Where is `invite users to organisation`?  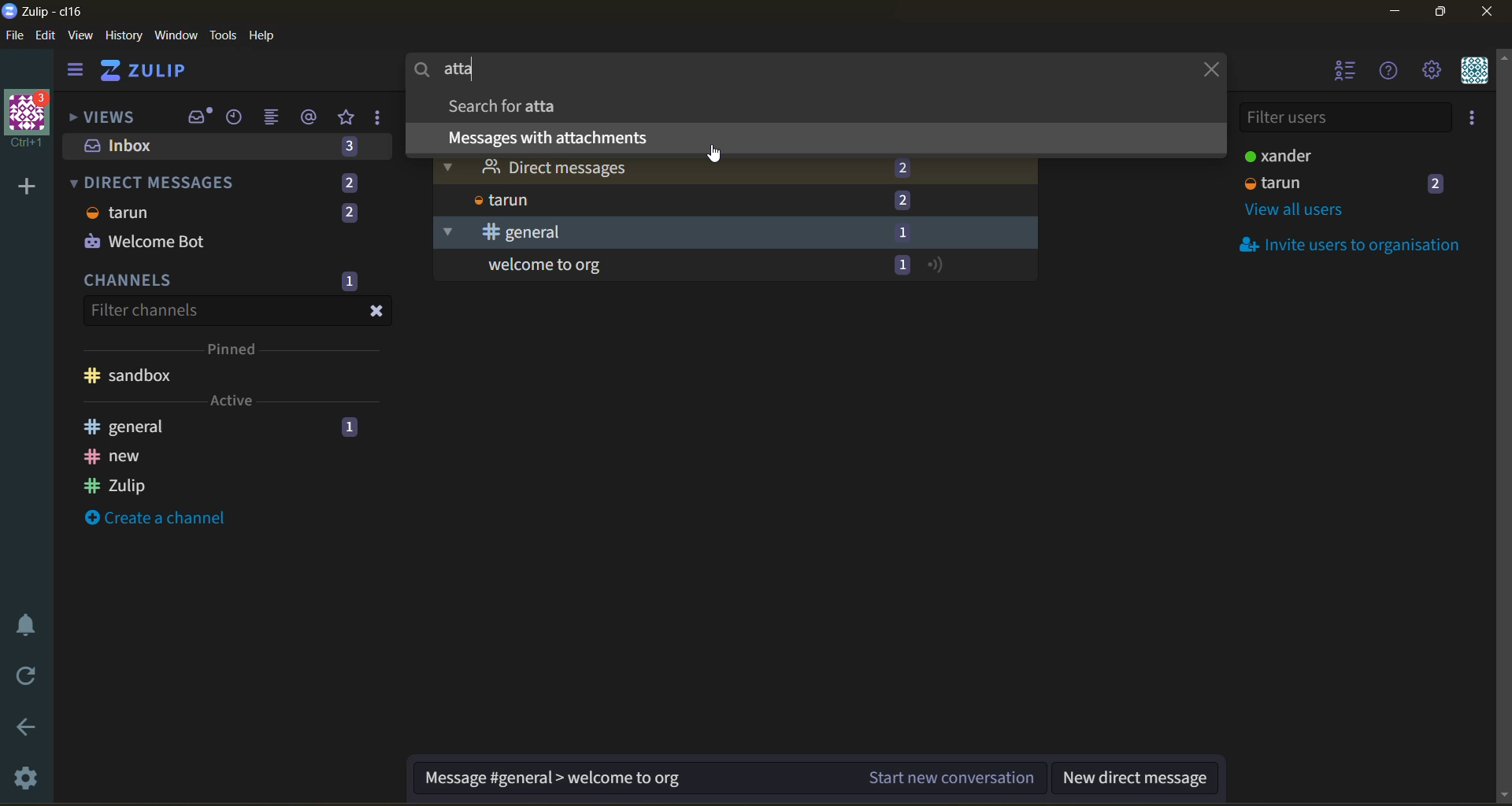 invite users to organisation is located at coordinates (1473, 117).